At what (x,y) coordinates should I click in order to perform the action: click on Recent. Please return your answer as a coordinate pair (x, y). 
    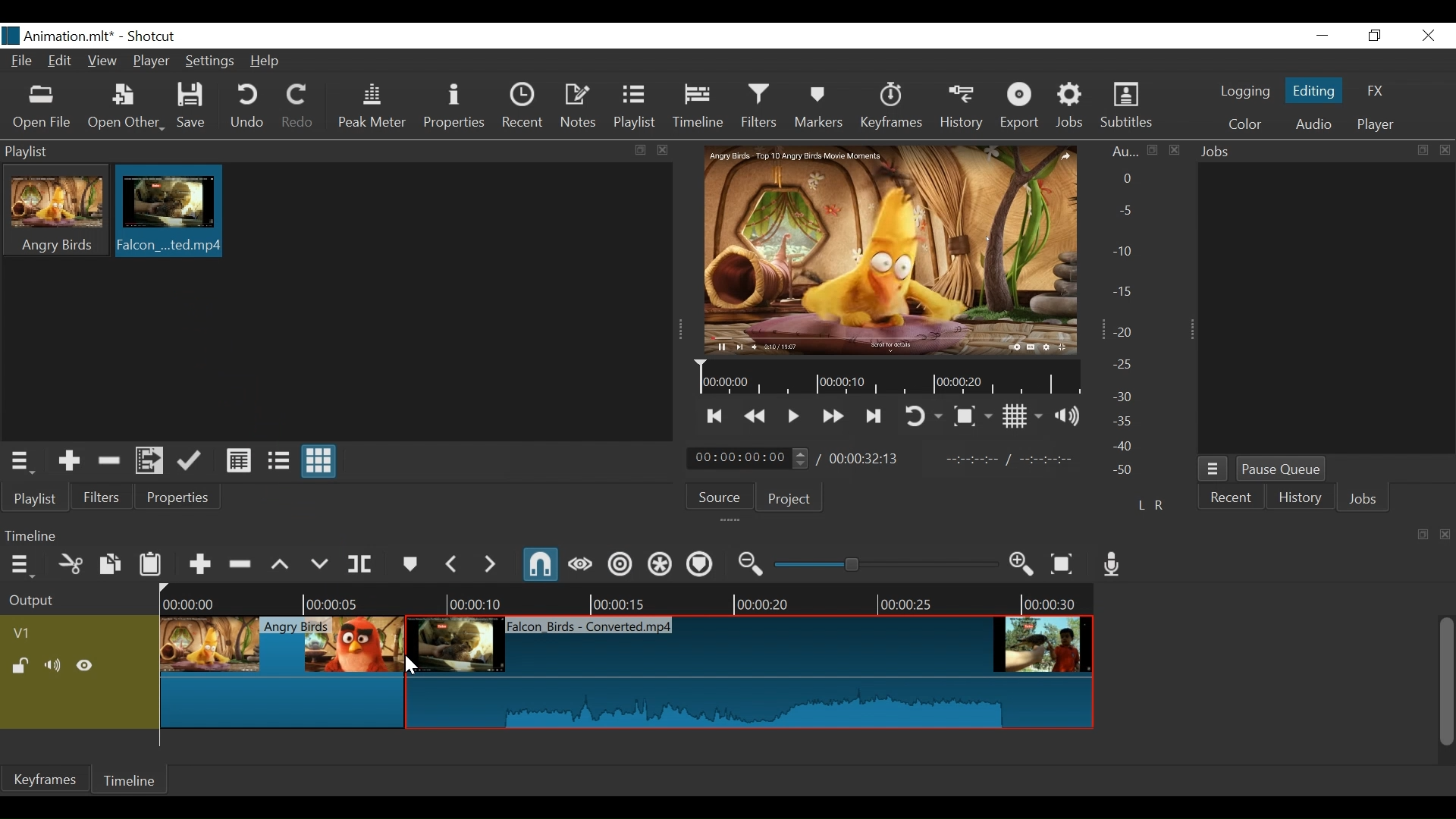
    Looking at the image, I should click on (522, 105).